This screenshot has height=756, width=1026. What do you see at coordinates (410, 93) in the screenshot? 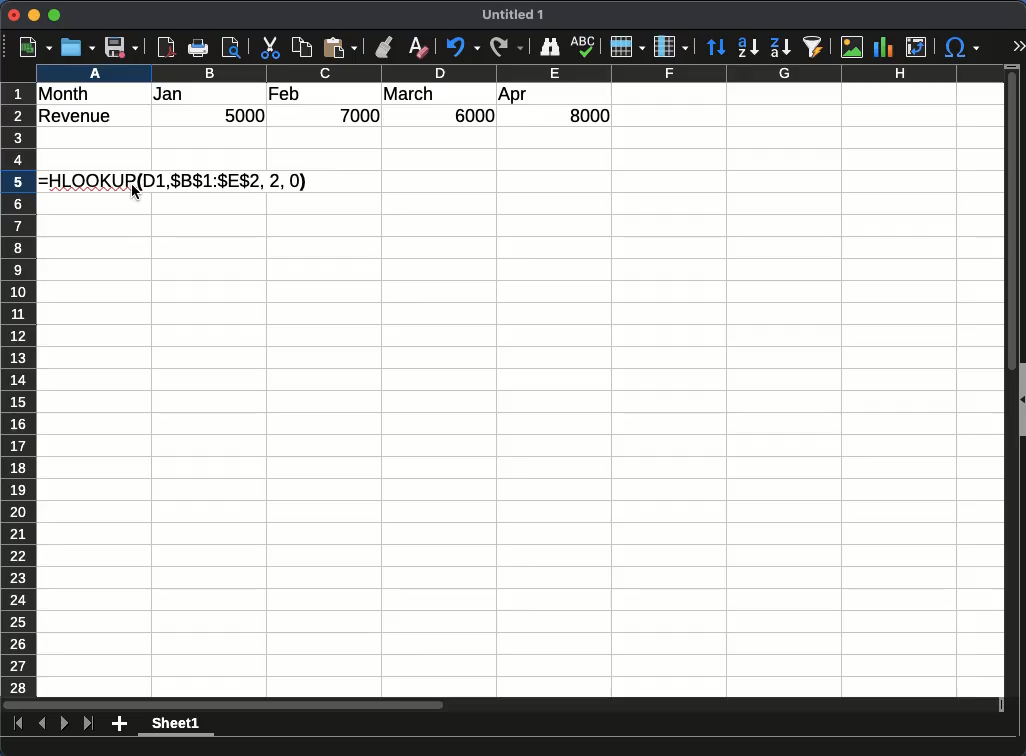
I see `march` at bounding box center [410, 93].